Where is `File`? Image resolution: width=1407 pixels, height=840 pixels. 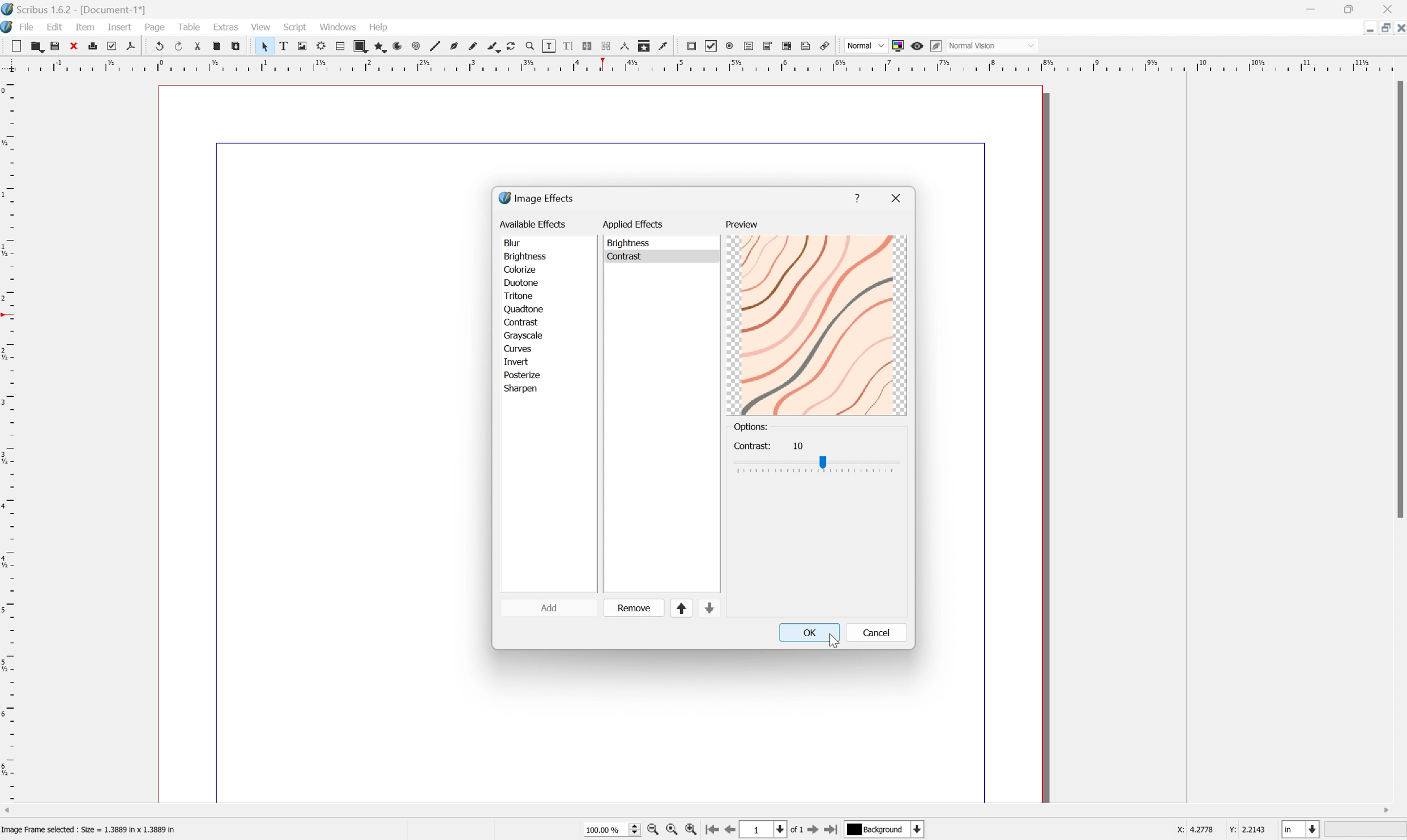
File is located at coordinates (28, 27).